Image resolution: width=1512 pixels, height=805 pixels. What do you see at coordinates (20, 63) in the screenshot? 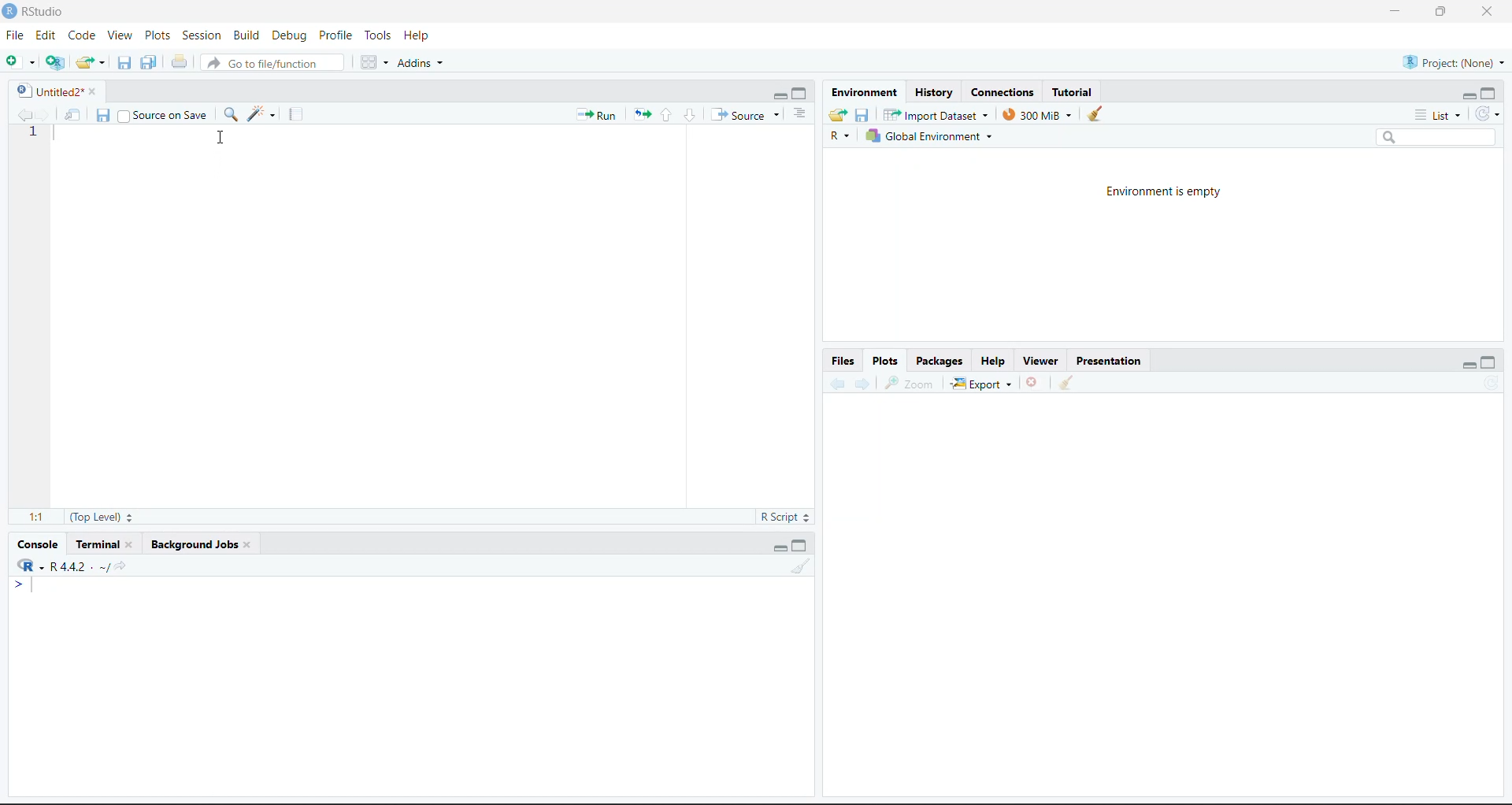
I see `new file` at bounding box center [20, 63].